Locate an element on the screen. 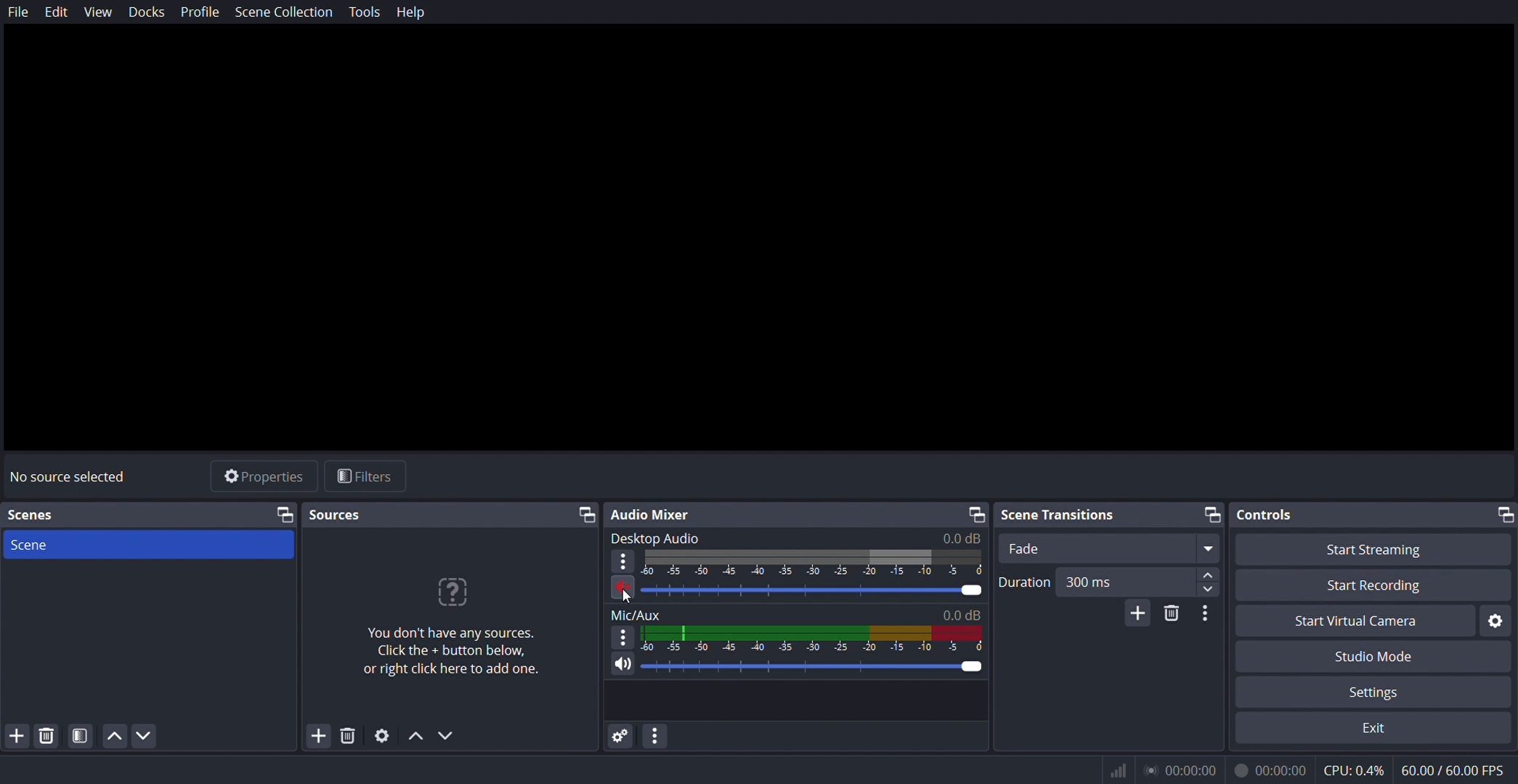 The width and height of the screenshot is (1518, 784). file is located at coordinates (17, 12).